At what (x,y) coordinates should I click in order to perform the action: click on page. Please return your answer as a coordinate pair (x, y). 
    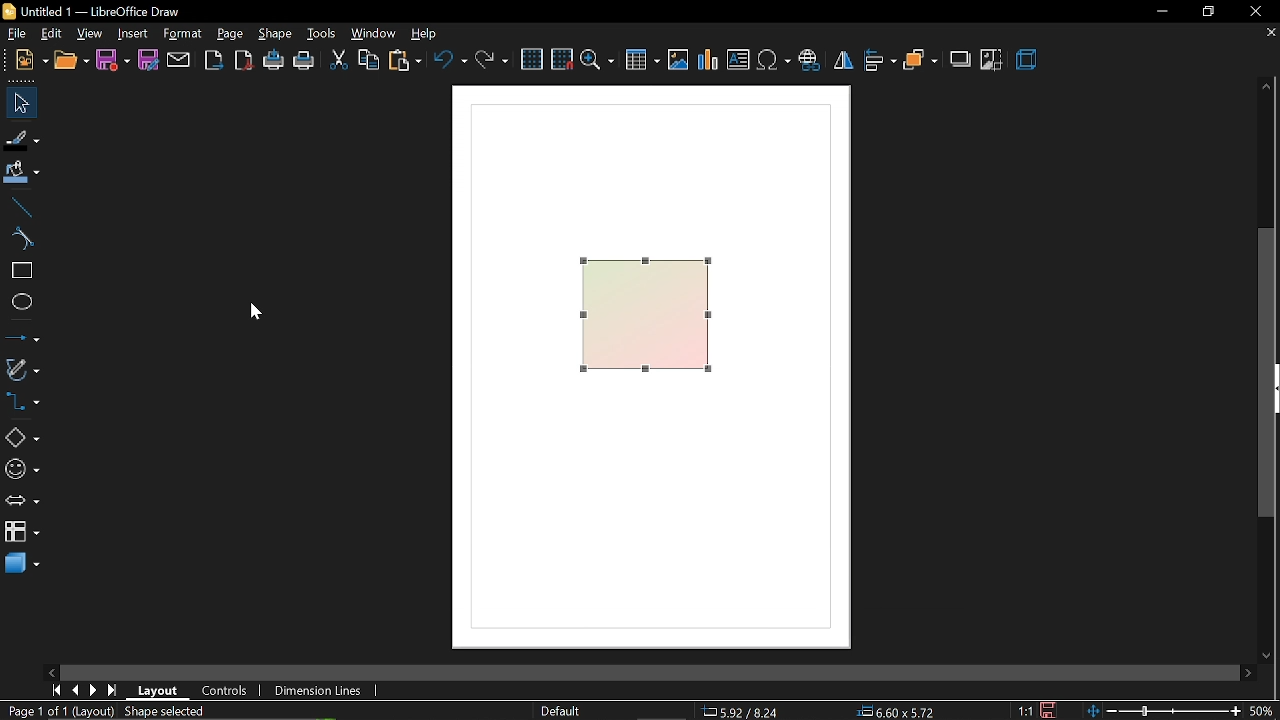
    Looking at the image, I should click on (232, 35).